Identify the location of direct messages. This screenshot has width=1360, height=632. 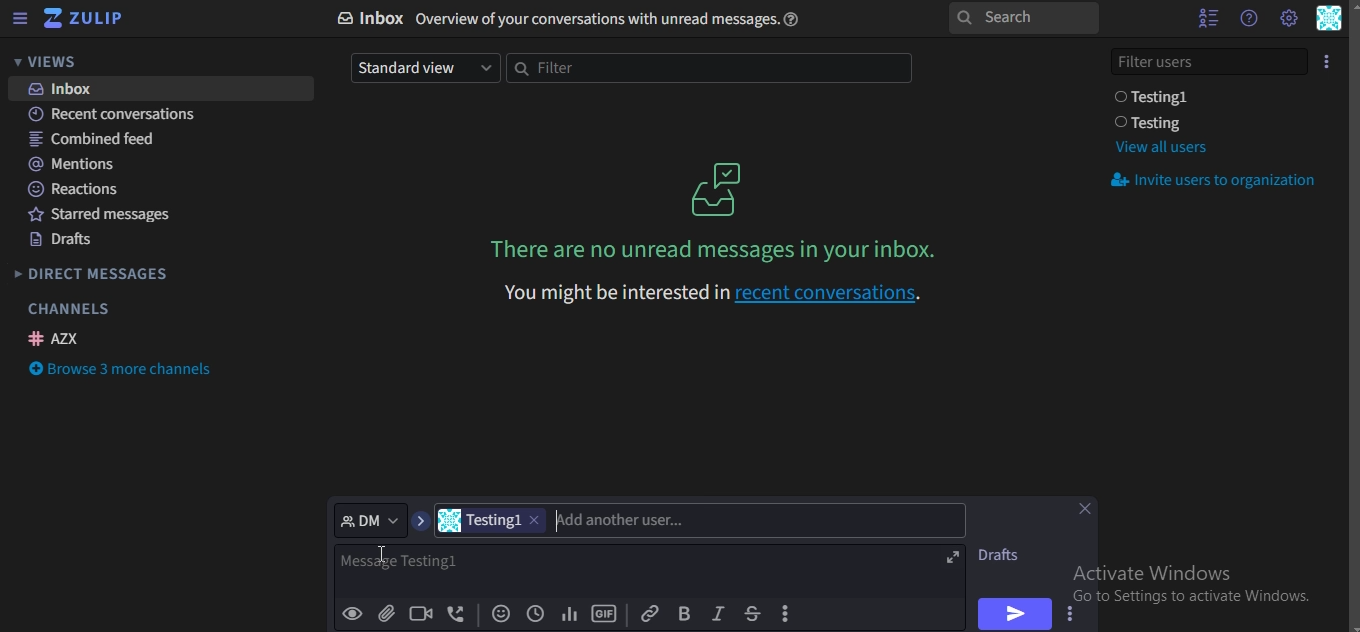
(94, 276).